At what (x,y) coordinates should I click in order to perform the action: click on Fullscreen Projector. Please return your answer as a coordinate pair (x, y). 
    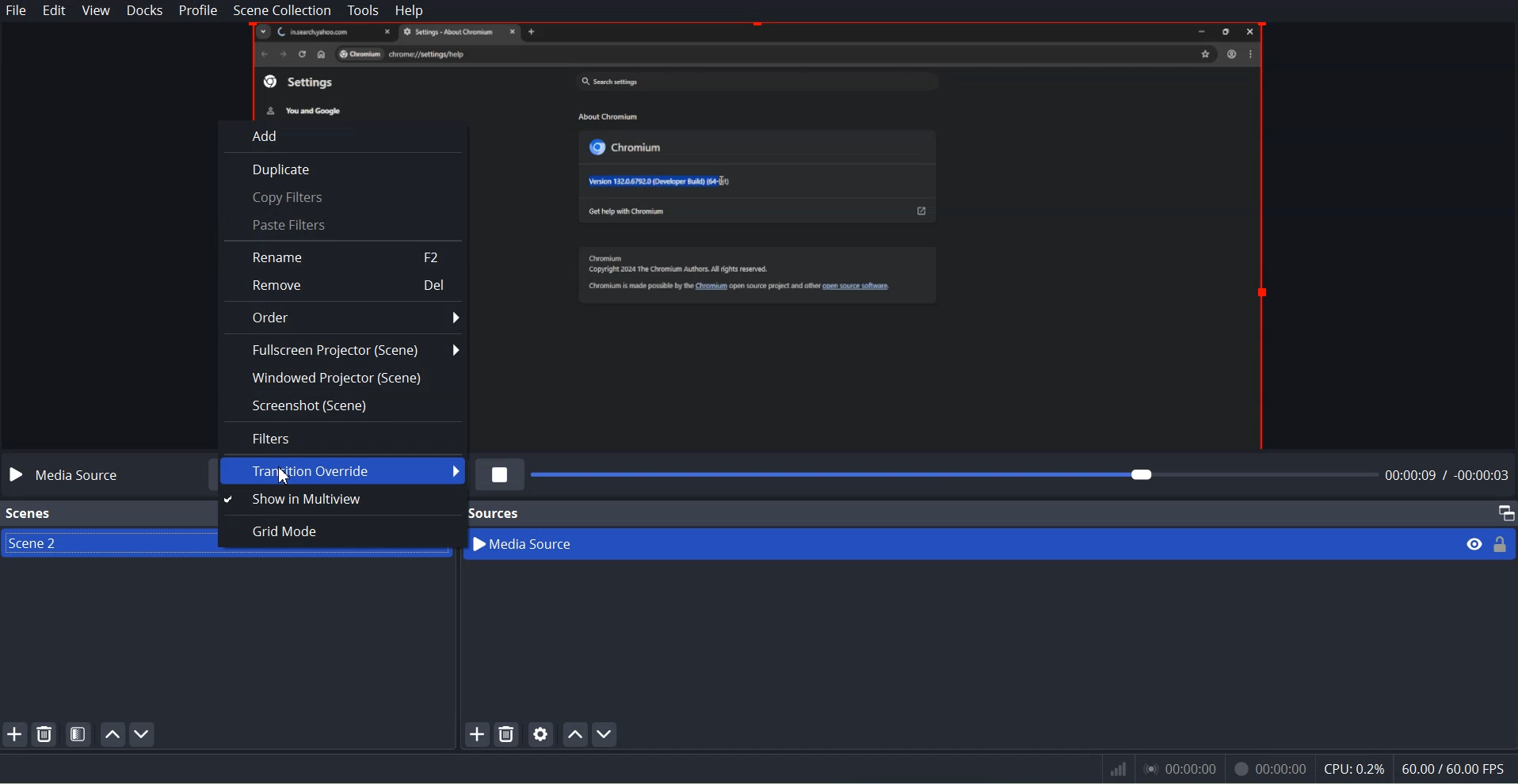
    Looking at the image, I should click on (343, 350).